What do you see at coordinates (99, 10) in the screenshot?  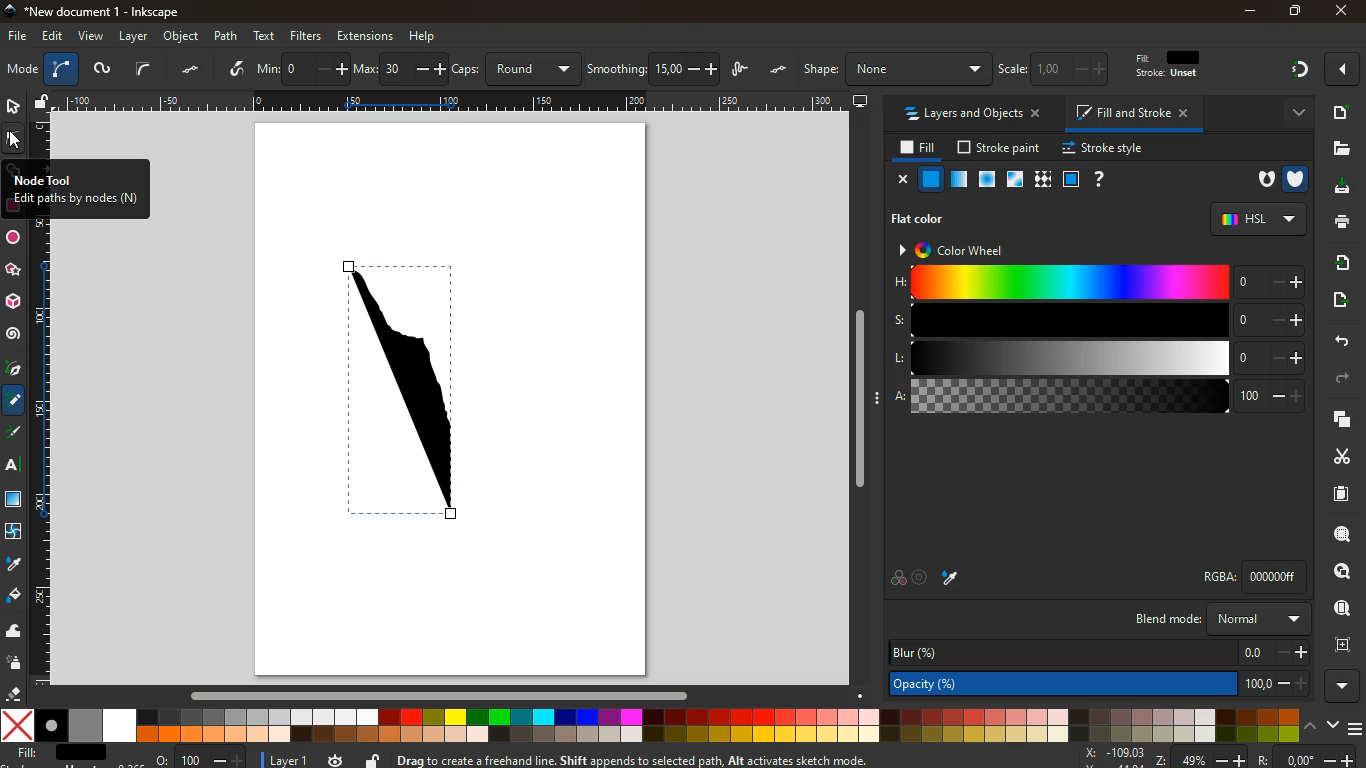 I see `inkscape` at bounding box center [99, 10].